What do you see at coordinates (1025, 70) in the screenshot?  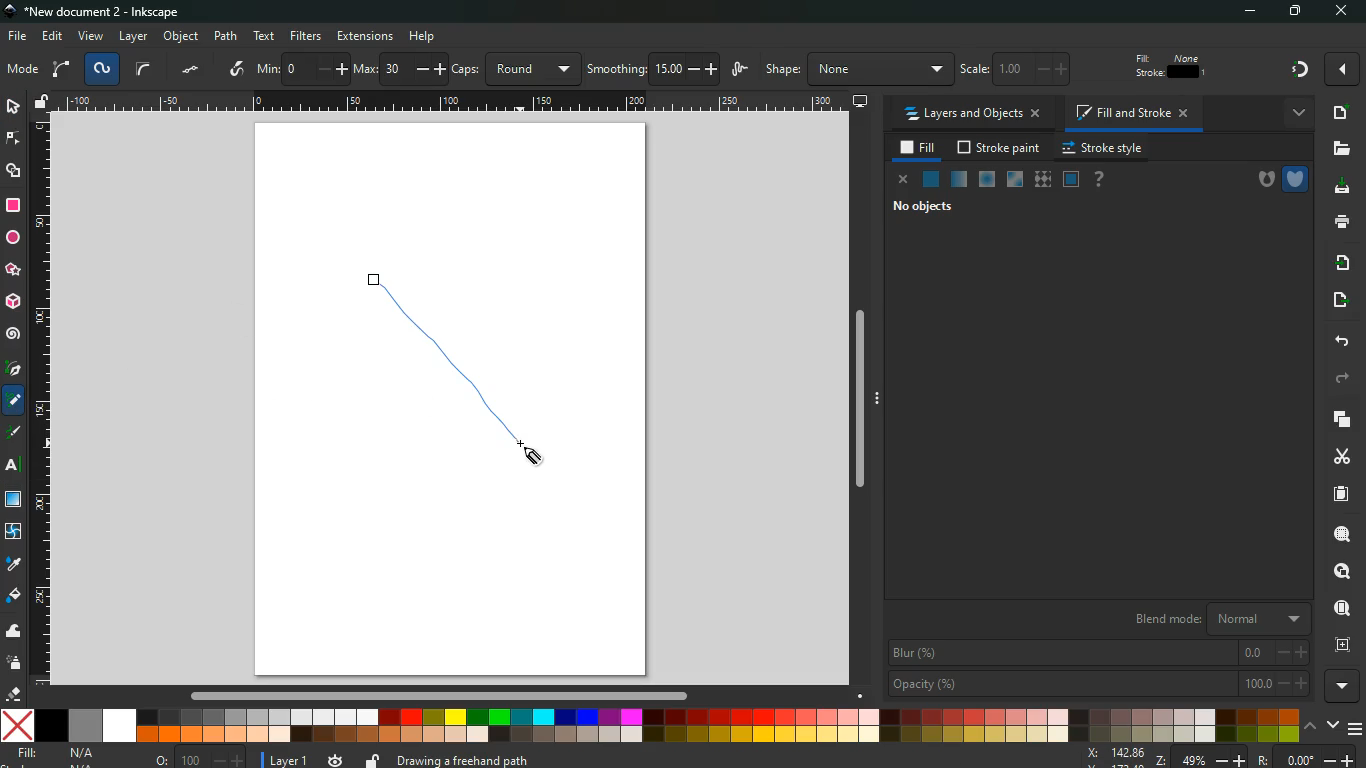 I see `scale` at bounding box center [1025, 70].